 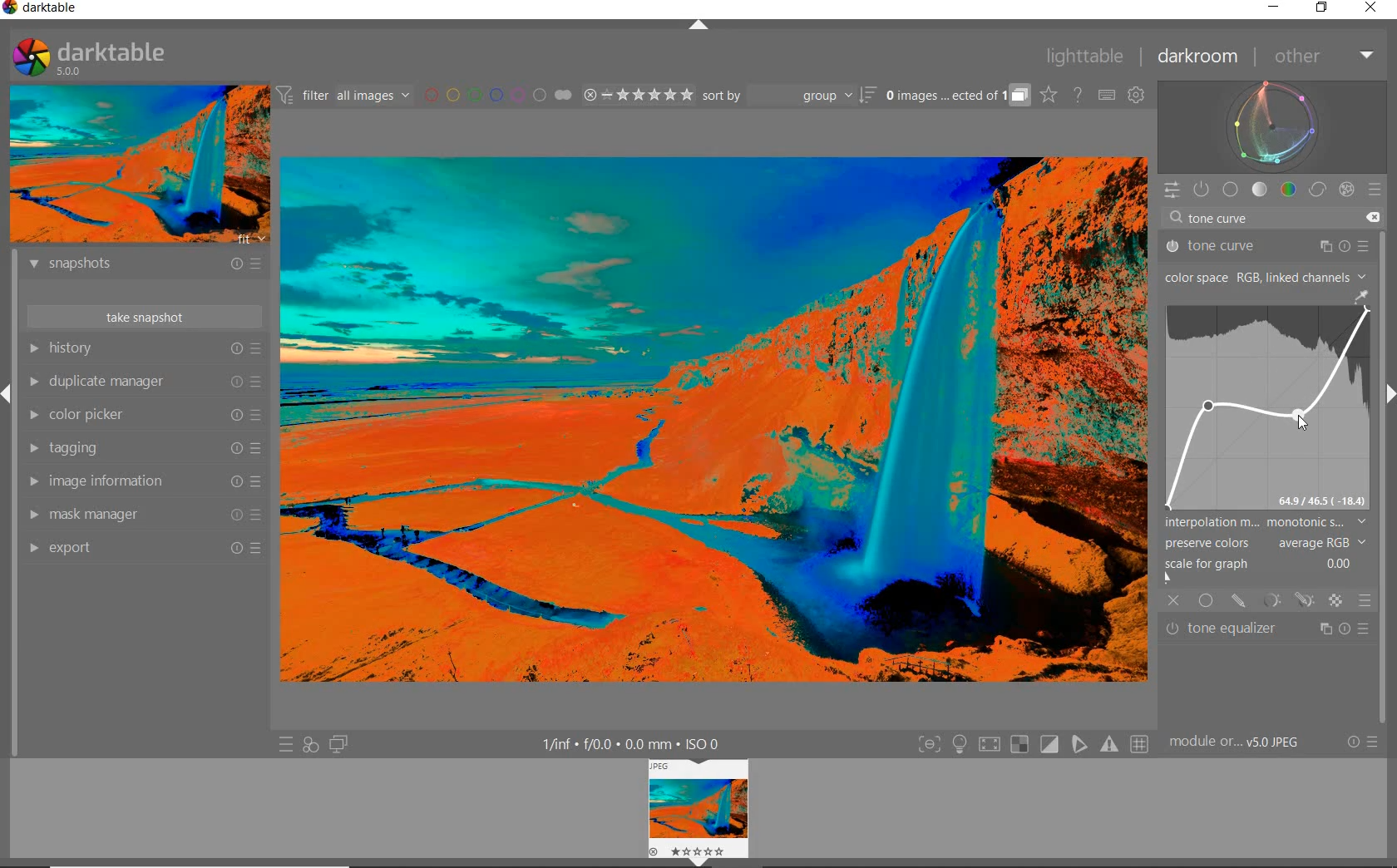 I want to click on other, so click(x=1320, y=56).